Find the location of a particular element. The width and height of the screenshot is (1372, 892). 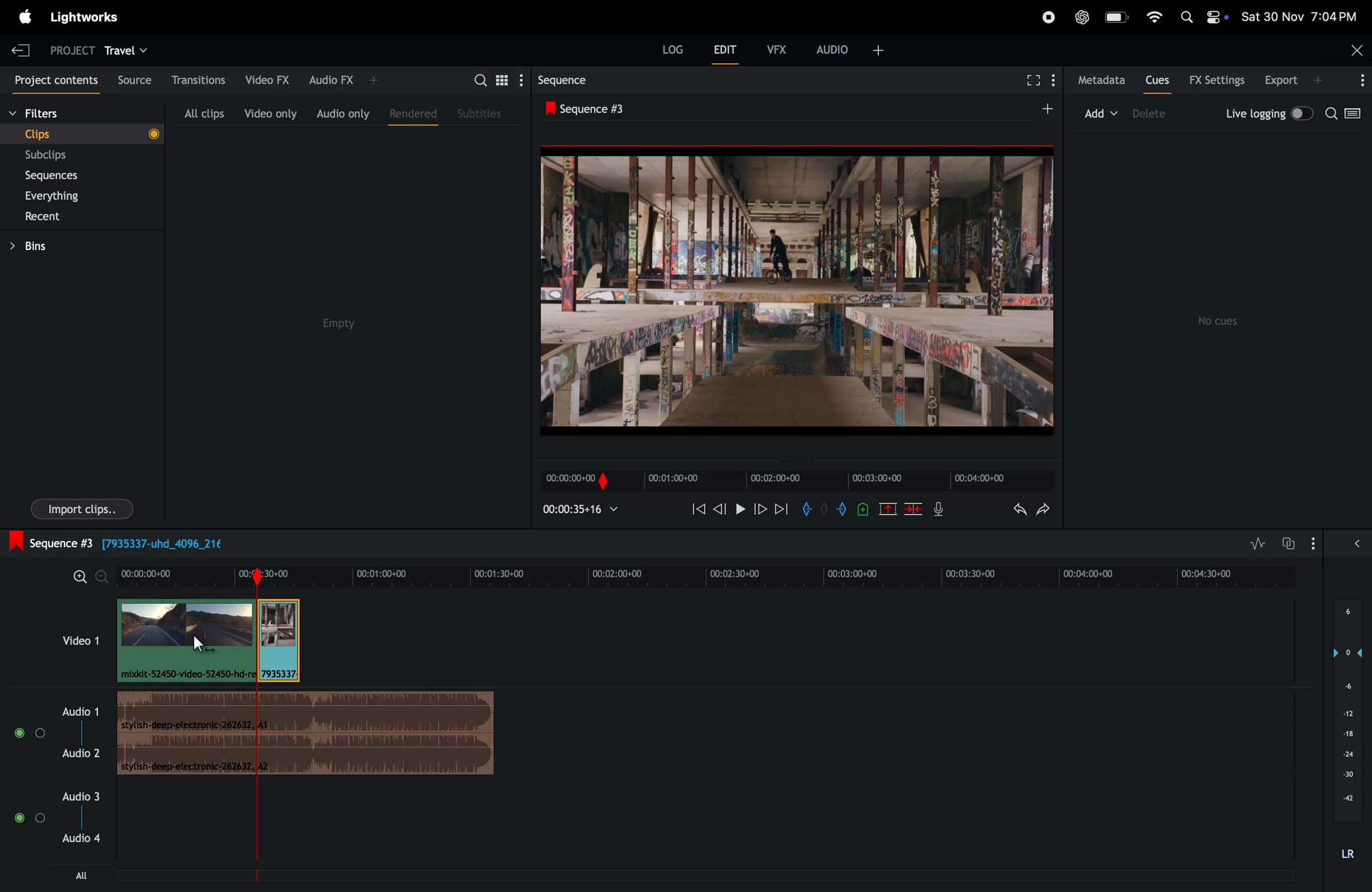

 is located at coordinates (864, 508).